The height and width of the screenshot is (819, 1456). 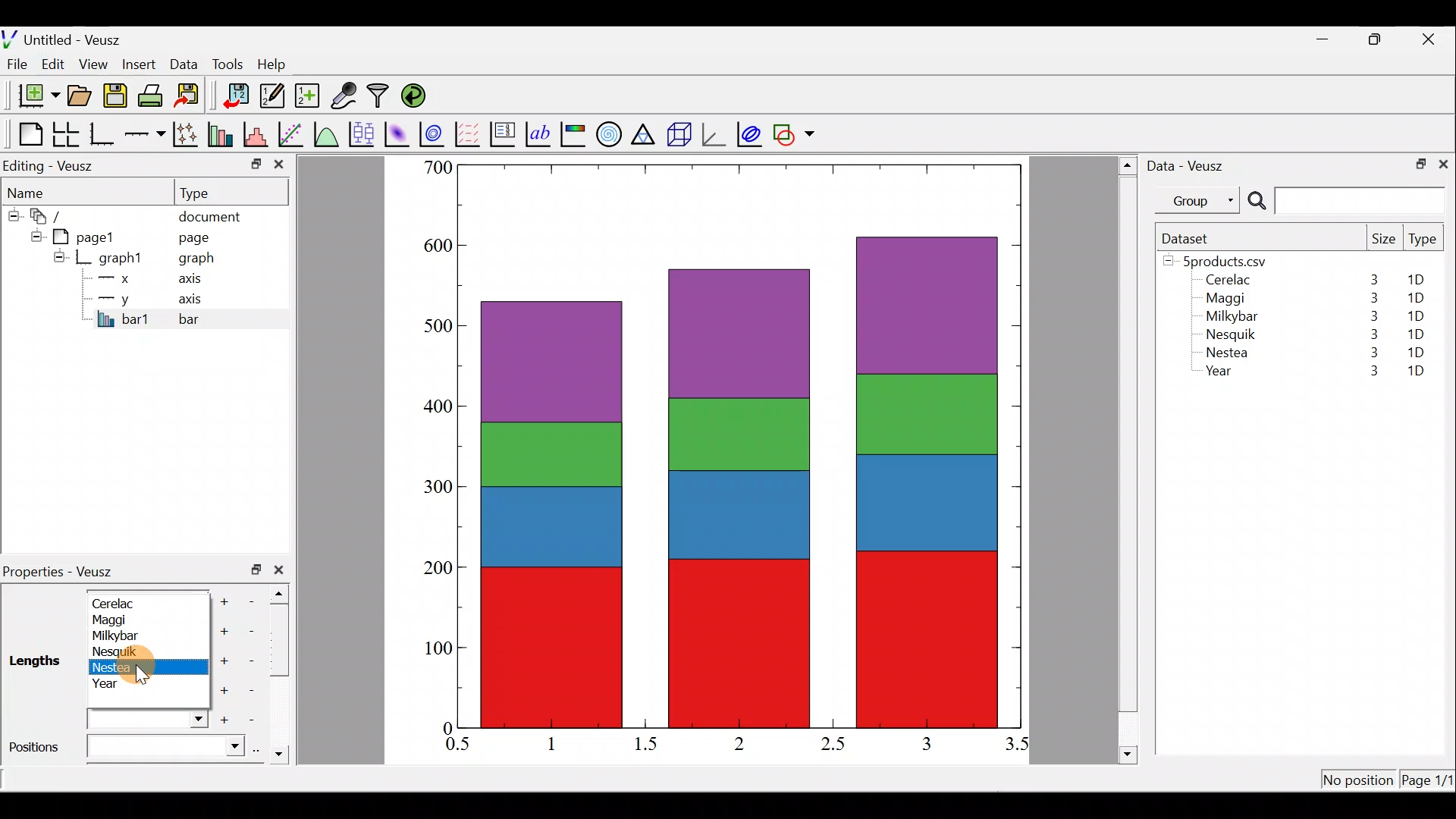 What do you see at coordinates (714, 133) in the screenshot?
I see `3d graph` at bounding box center [714, 133].